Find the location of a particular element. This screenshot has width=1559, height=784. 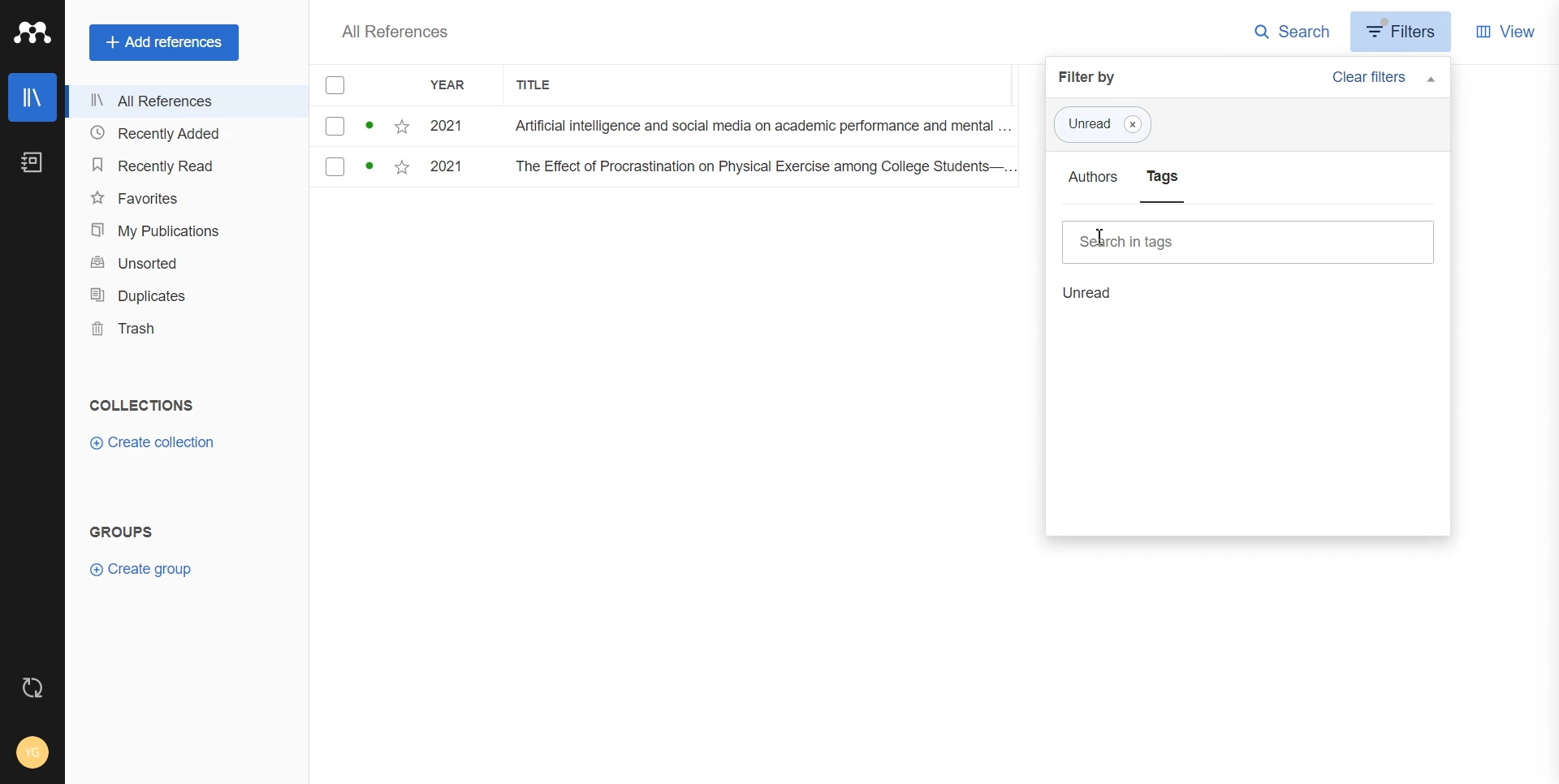

Title is located at coordinates (543, 86).